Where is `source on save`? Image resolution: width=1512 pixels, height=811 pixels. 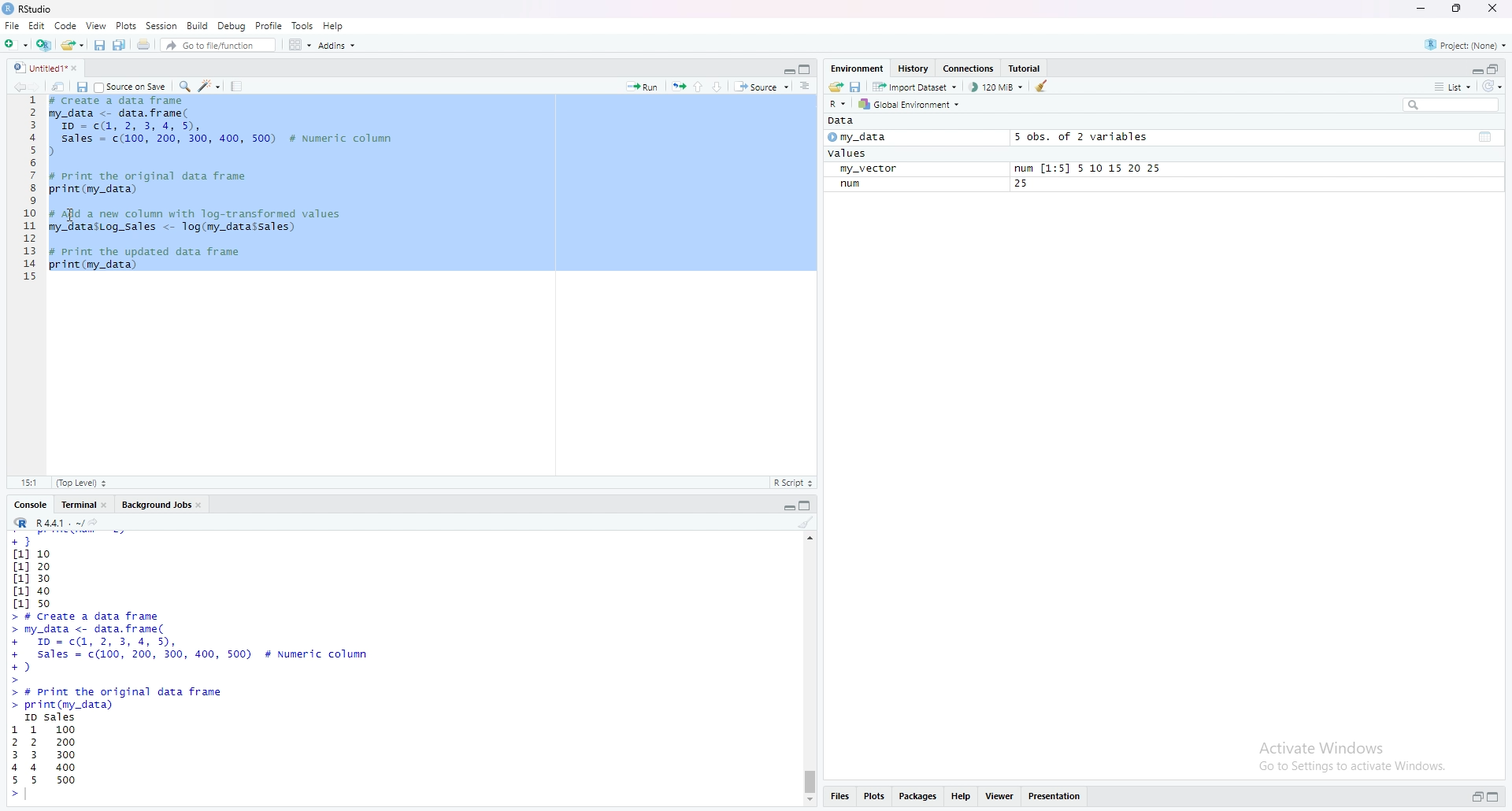
source on save is located at coordinates (132, 88).